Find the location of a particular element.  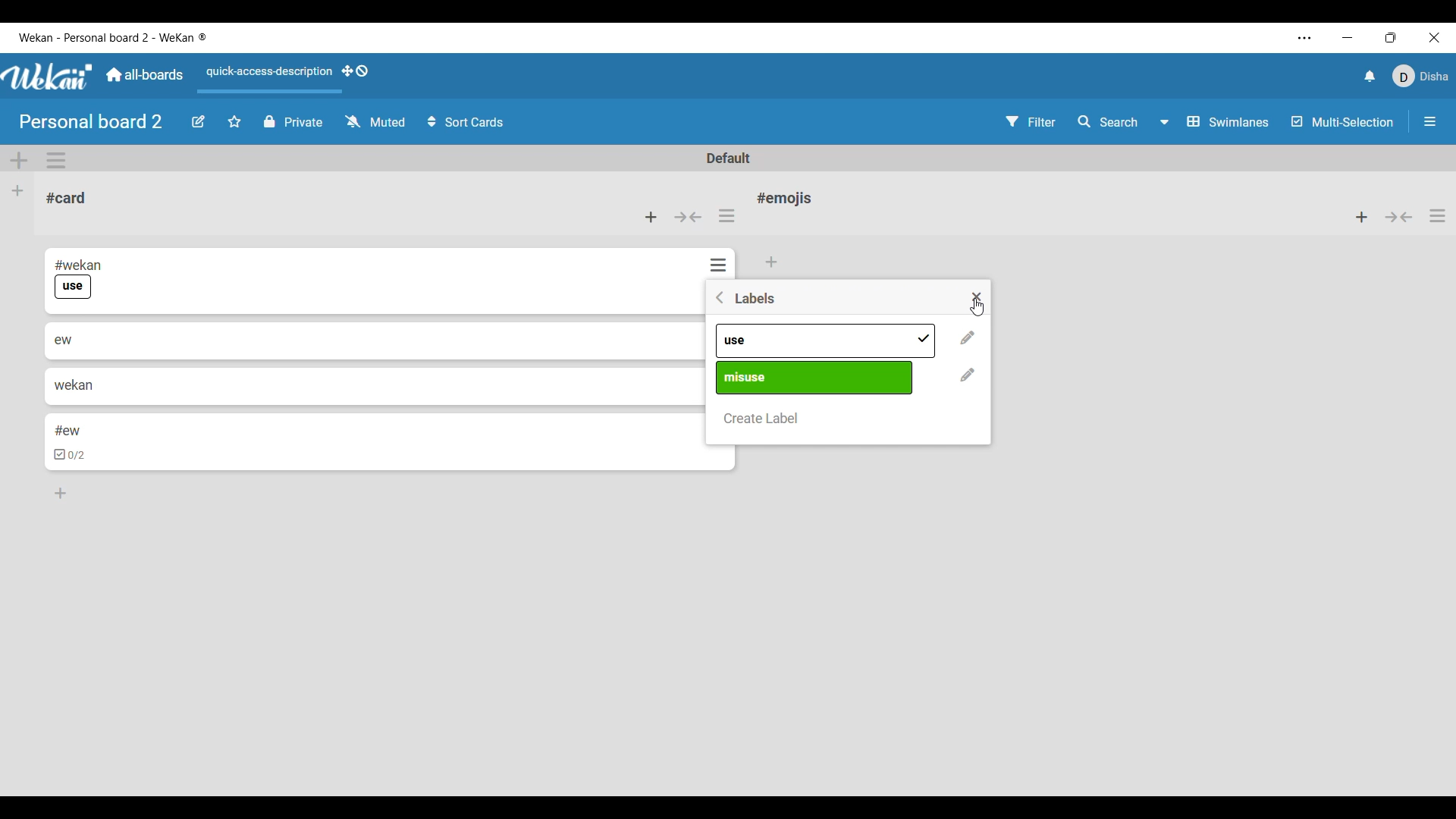

Board name is located at coordinates (90, 121).